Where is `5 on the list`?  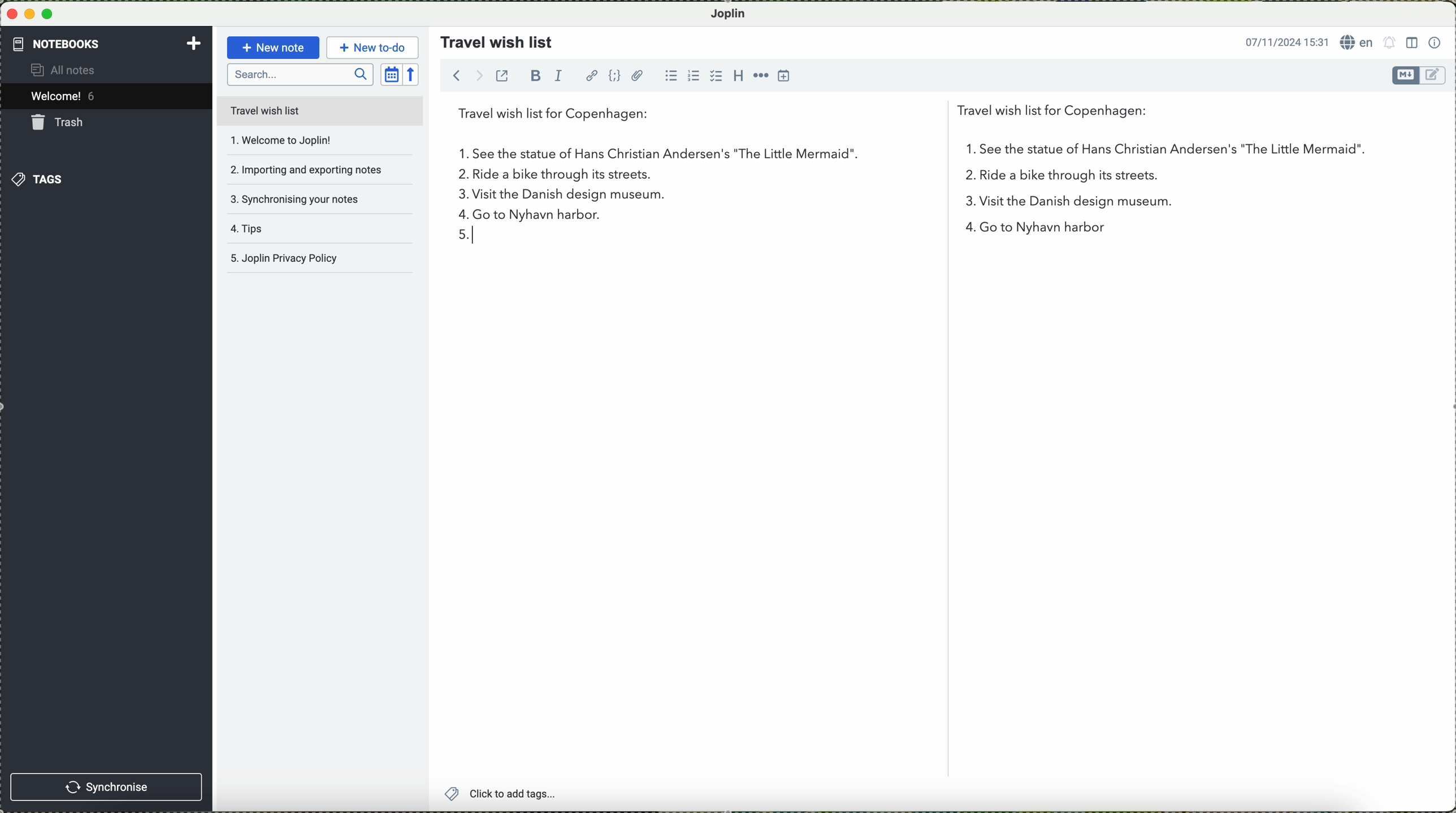
5 on the list is located at coordinates (467, 236).